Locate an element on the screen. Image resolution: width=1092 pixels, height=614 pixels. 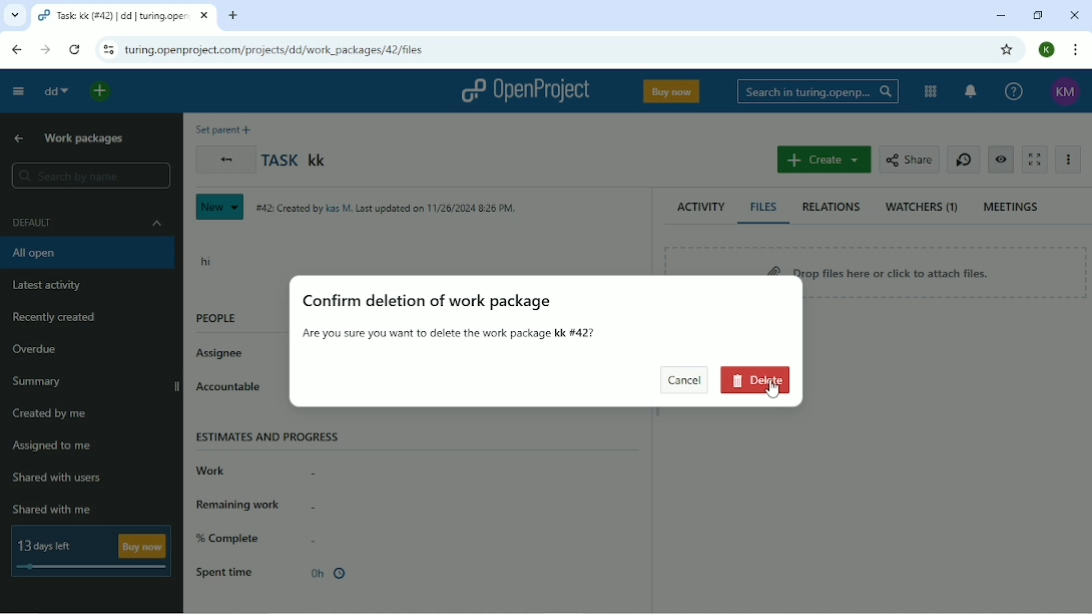
Up is located at coordinates (19, 138).